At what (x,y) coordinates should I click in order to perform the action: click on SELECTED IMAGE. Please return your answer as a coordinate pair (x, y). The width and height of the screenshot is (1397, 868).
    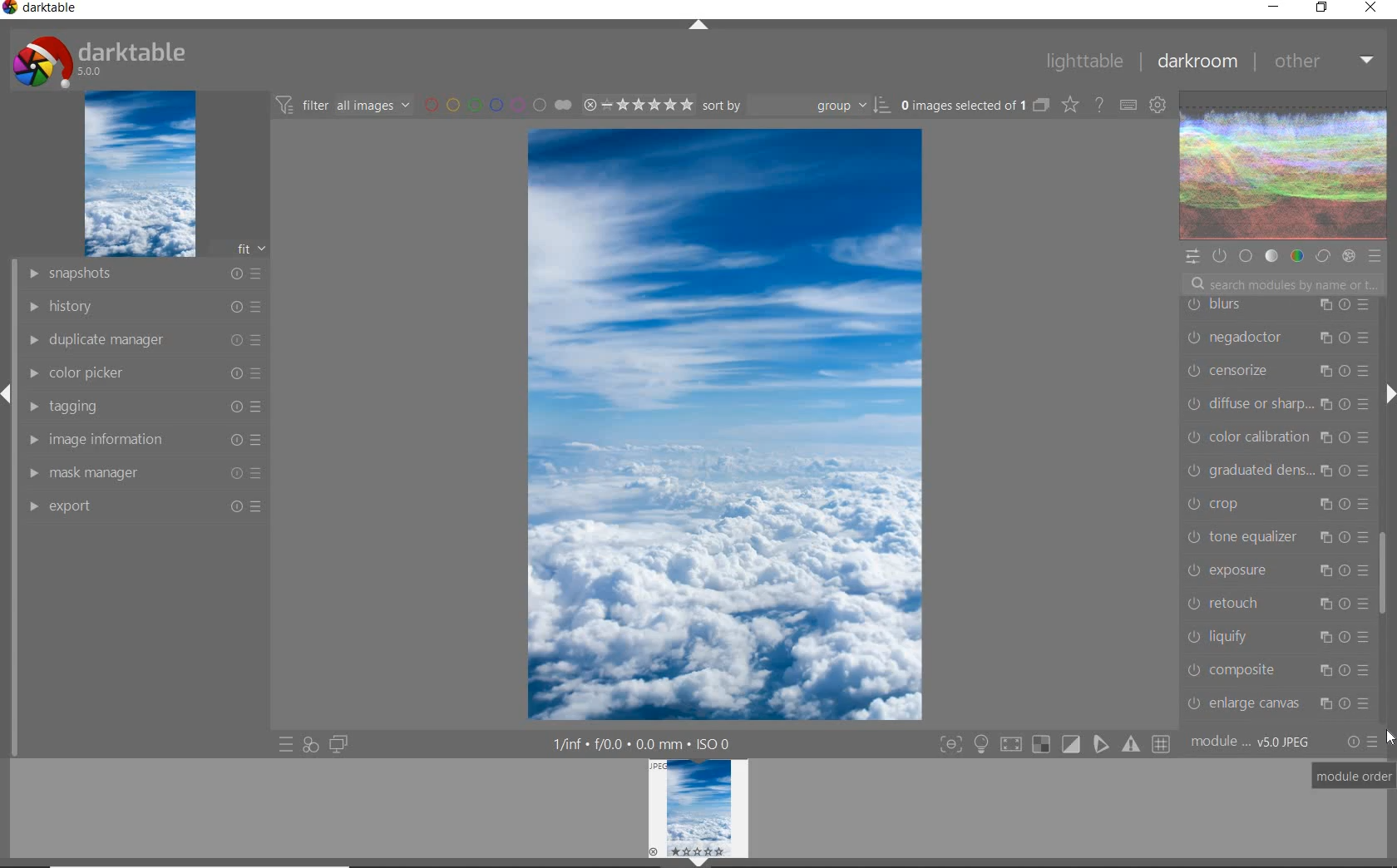
    Looking at the image, I should click on (725, 424).